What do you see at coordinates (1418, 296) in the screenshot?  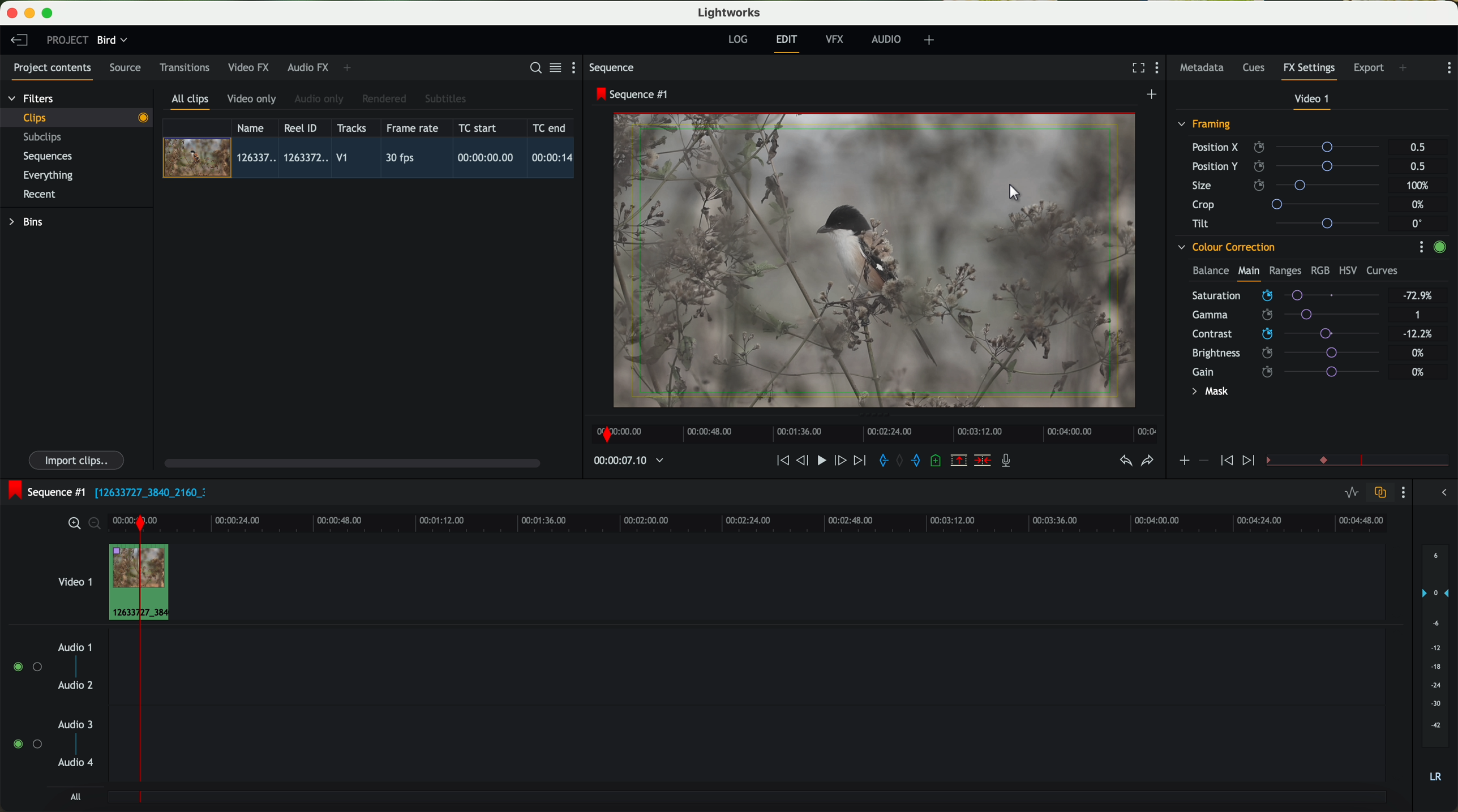 I see `73.8%` at bounding box center [1418, 296].